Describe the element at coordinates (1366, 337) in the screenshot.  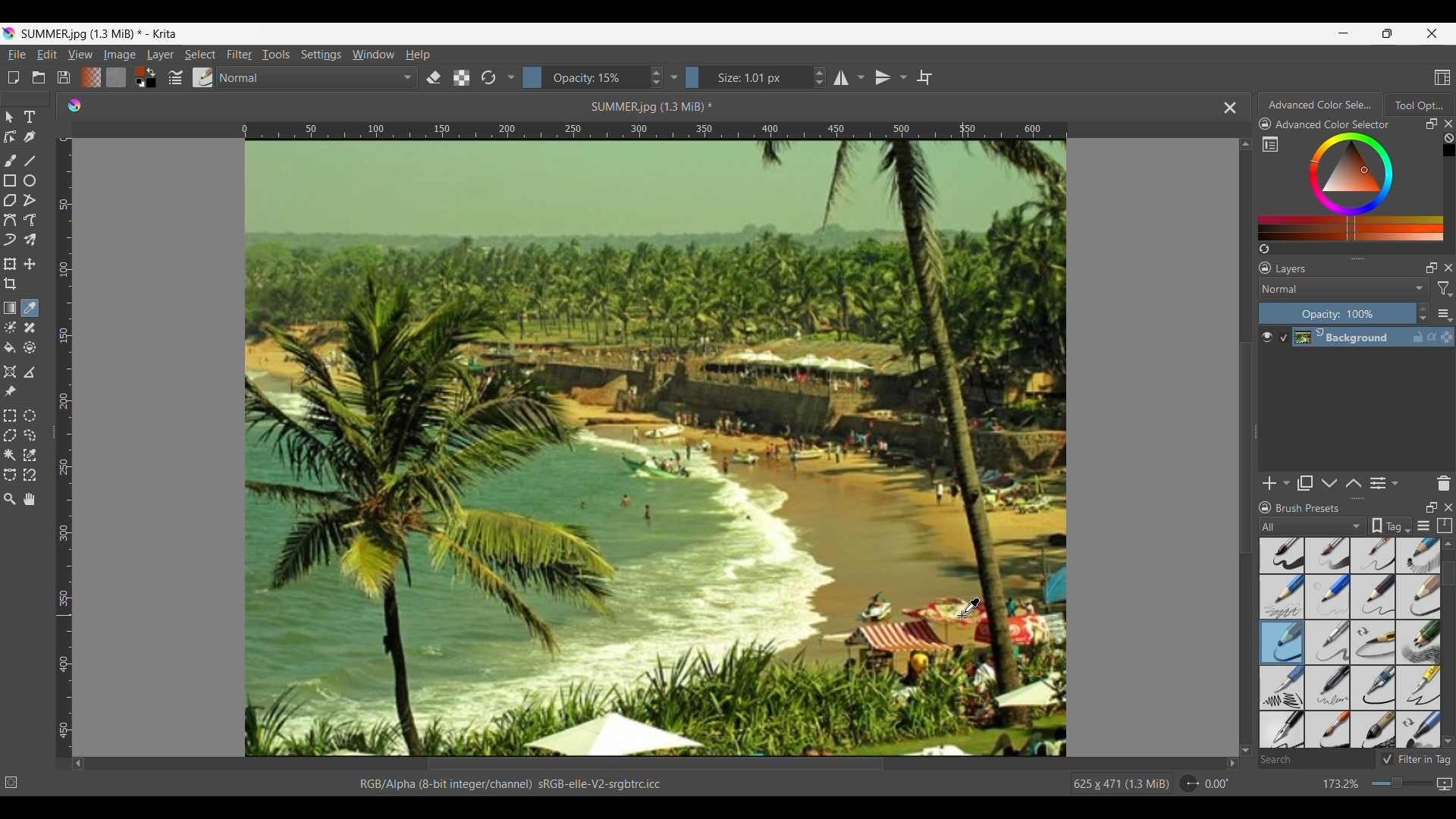
I see `Background` at that location.